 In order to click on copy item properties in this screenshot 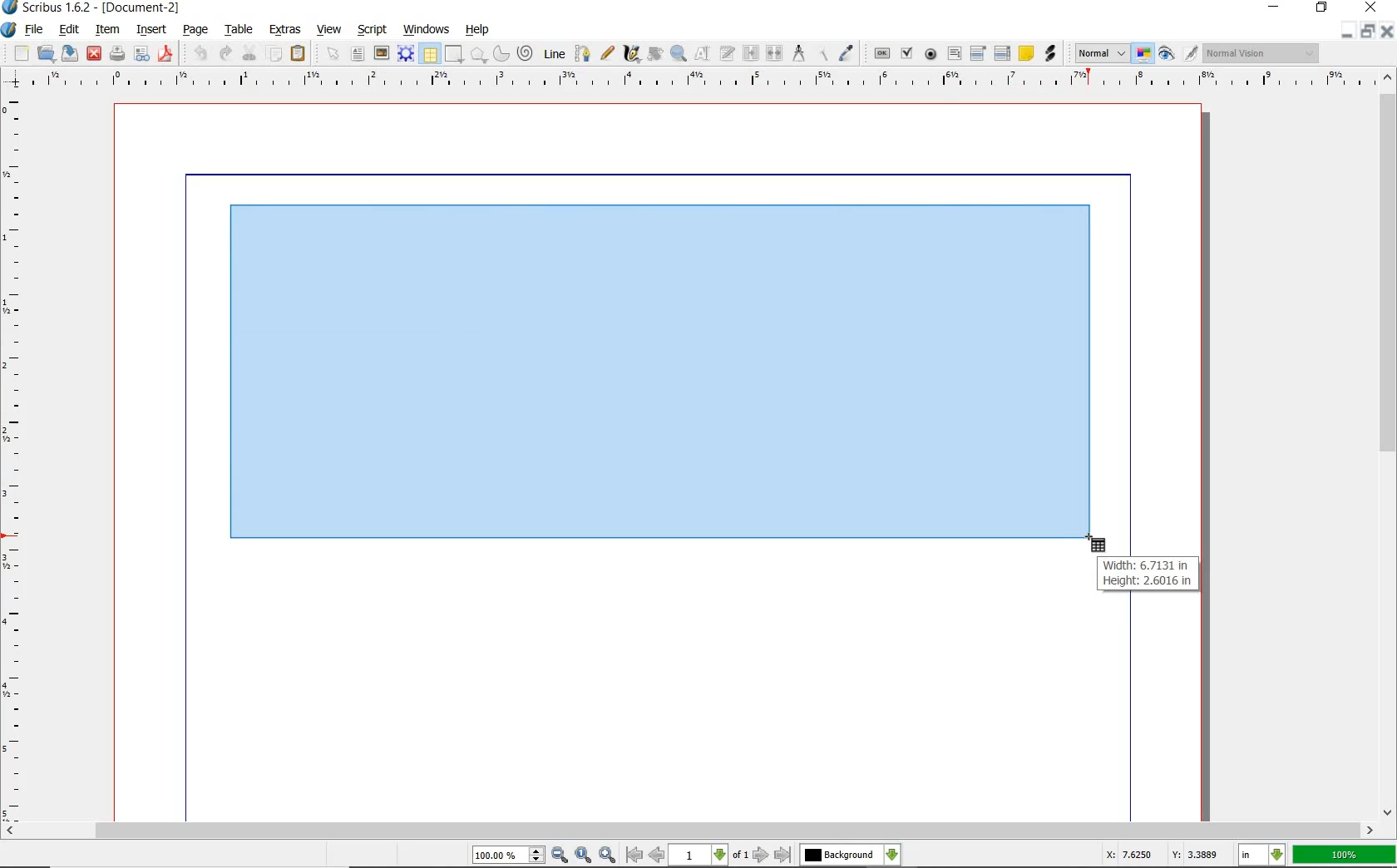, I will do `click(823, 56)`.